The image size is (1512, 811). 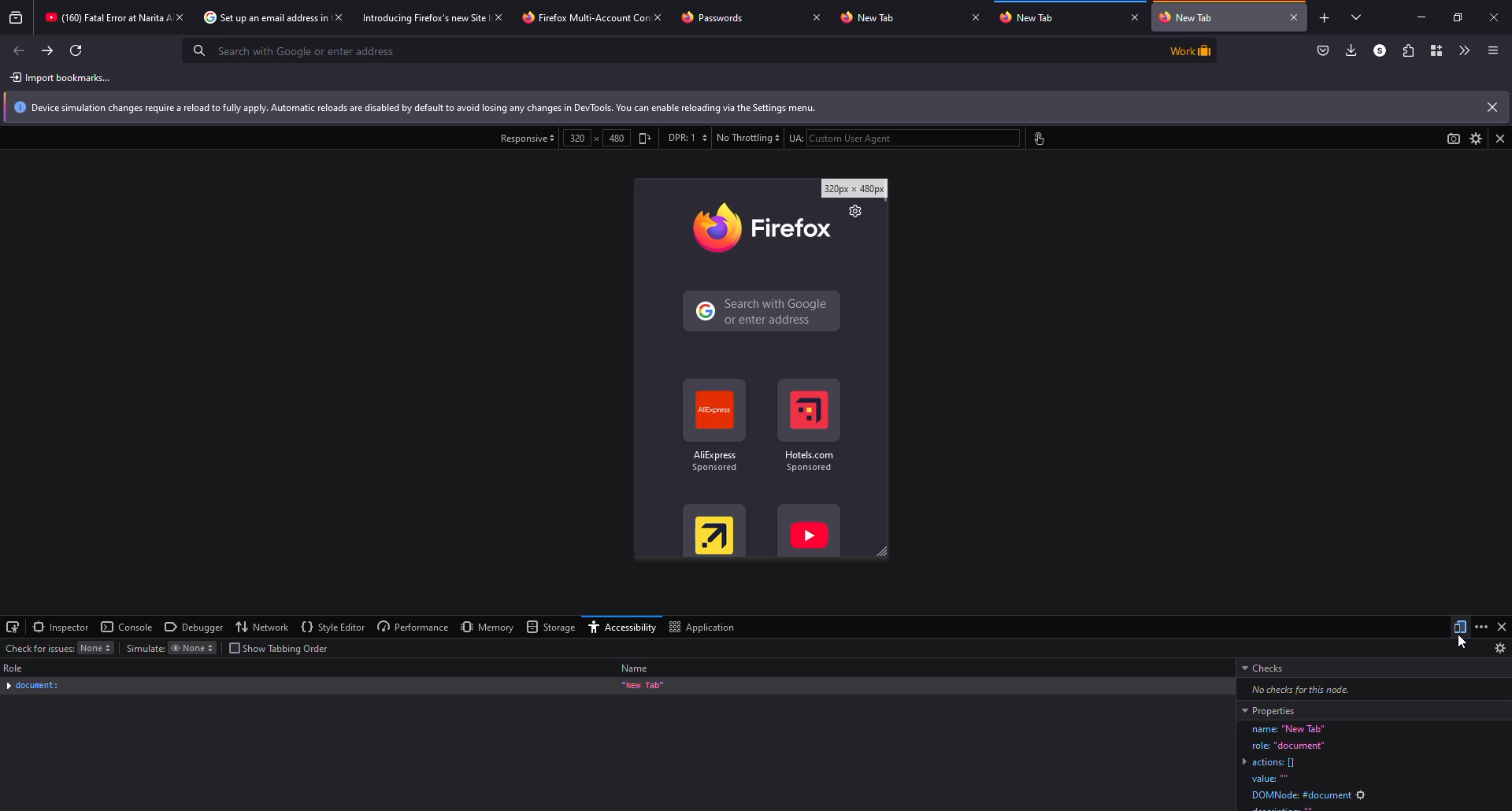 What do you see at coordinates (1501, 138) in the screenshot?
I see `close` at bounding box center [1501, 138].